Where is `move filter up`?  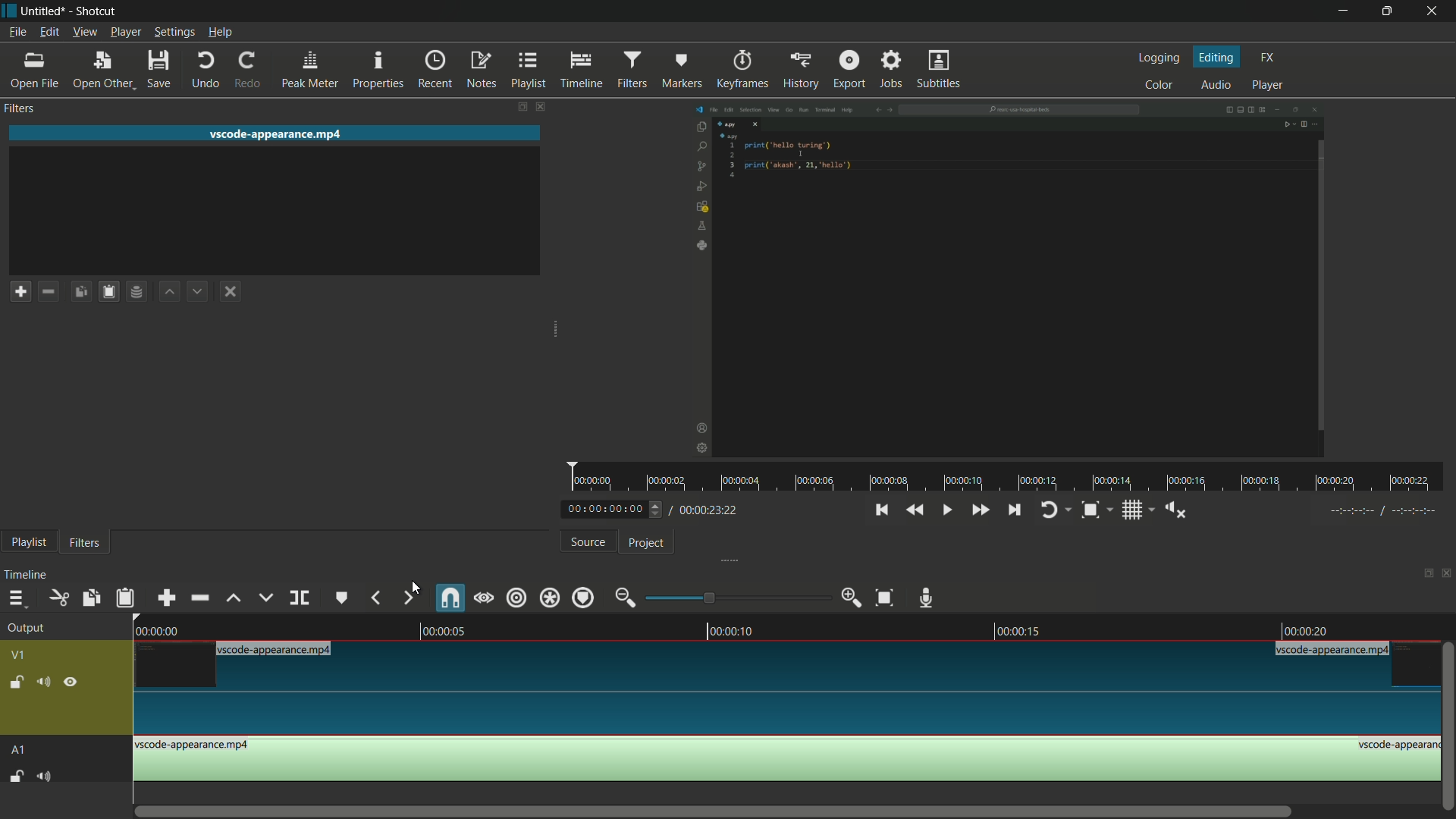
move filter up is located at coordinates (168, 292).